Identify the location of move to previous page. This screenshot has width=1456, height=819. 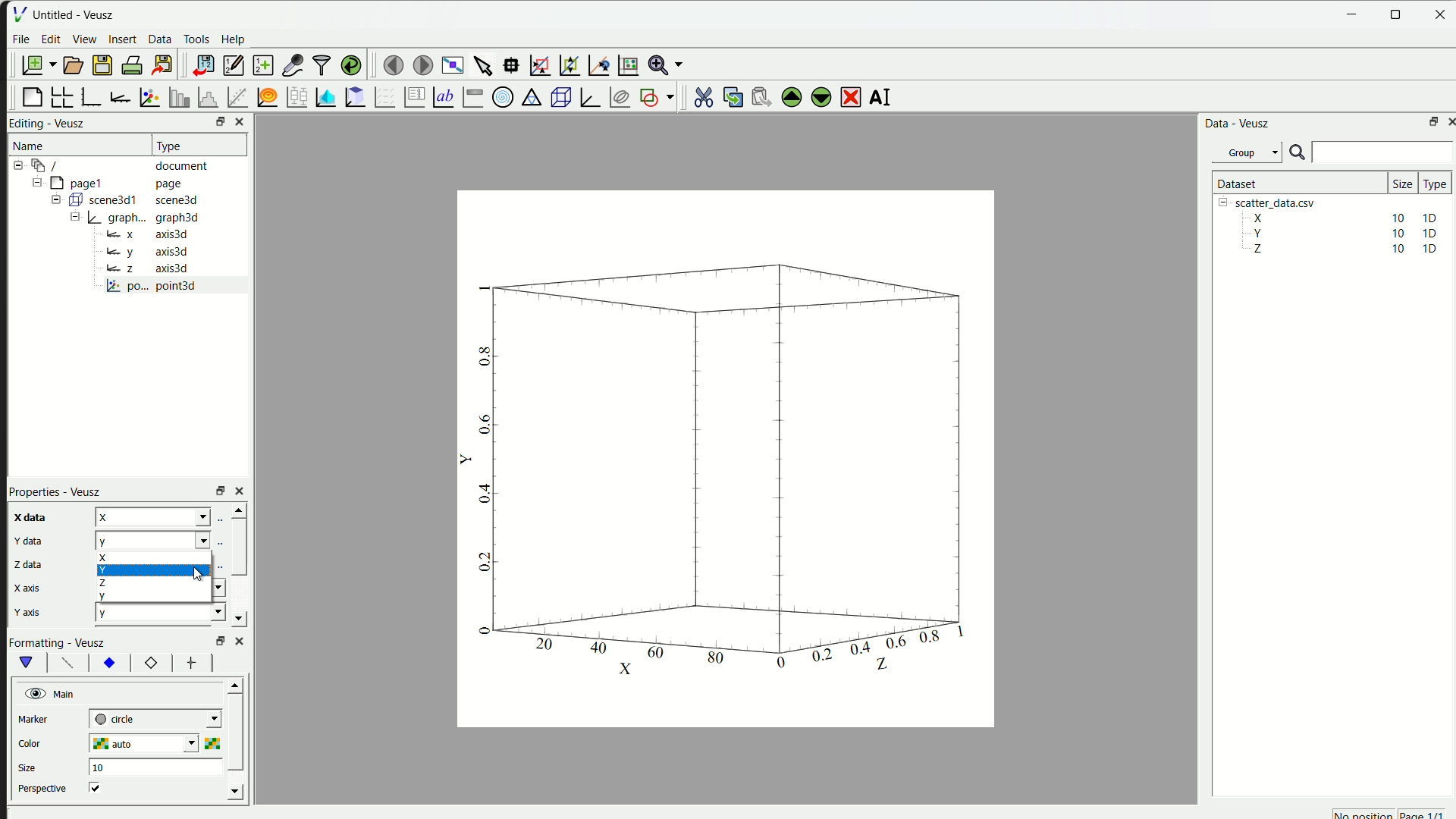
(391, 63).